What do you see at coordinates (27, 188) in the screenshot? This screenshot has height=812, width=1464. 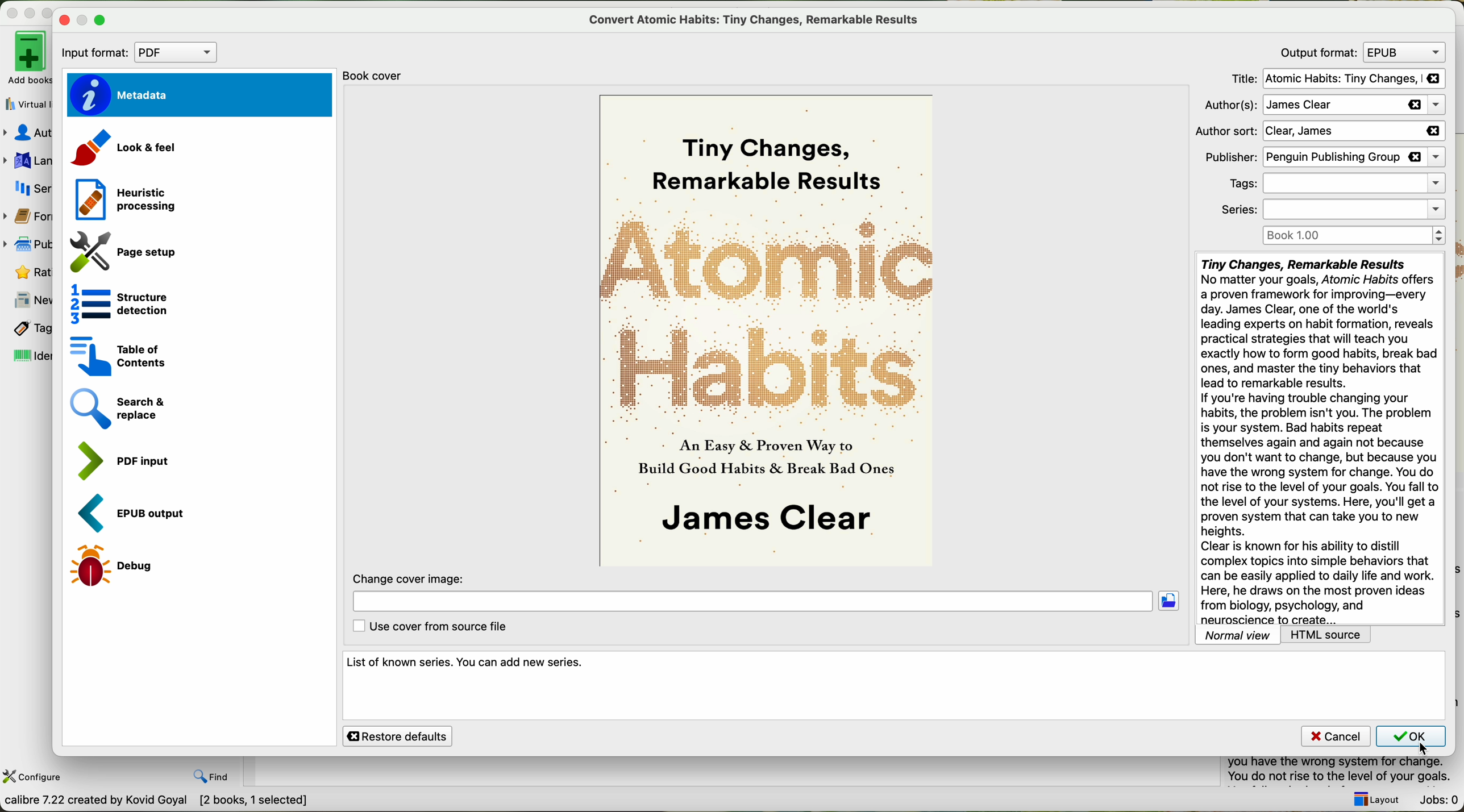 I see `series` at bounding box center [27, 188].